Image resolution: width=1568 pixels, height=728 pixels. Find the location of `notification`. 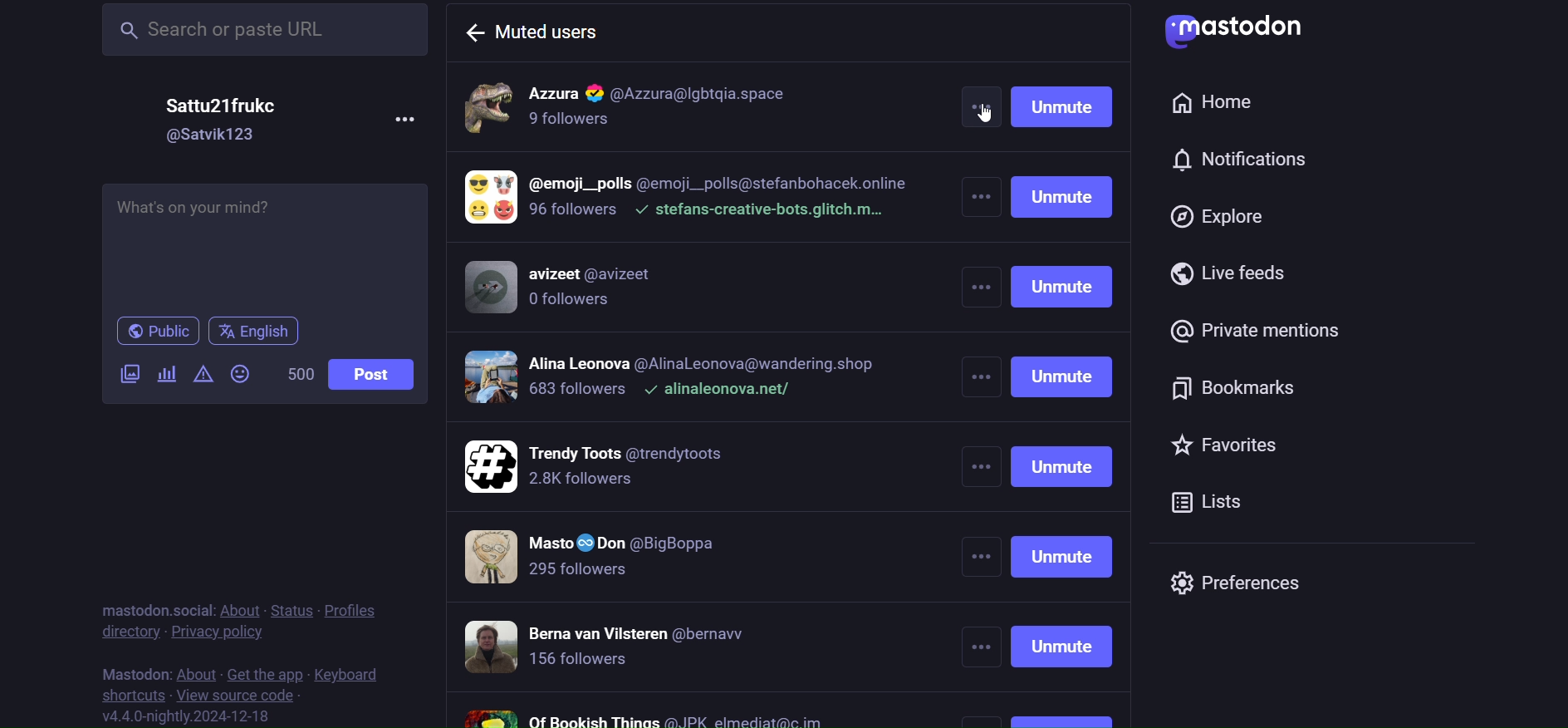

notification is located at coordinates (1245, 160).